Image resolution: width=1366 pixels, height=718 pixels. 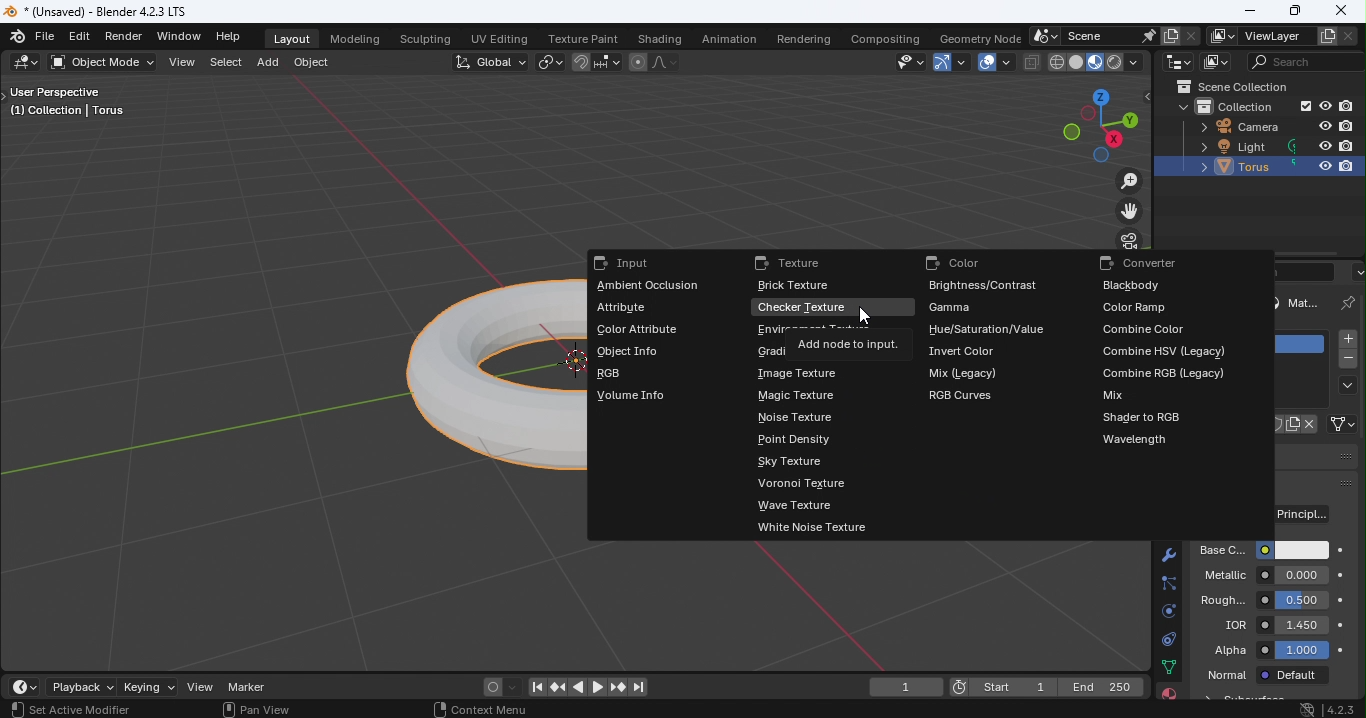 I want to click on Alpha, so click(x=1266, y=651).